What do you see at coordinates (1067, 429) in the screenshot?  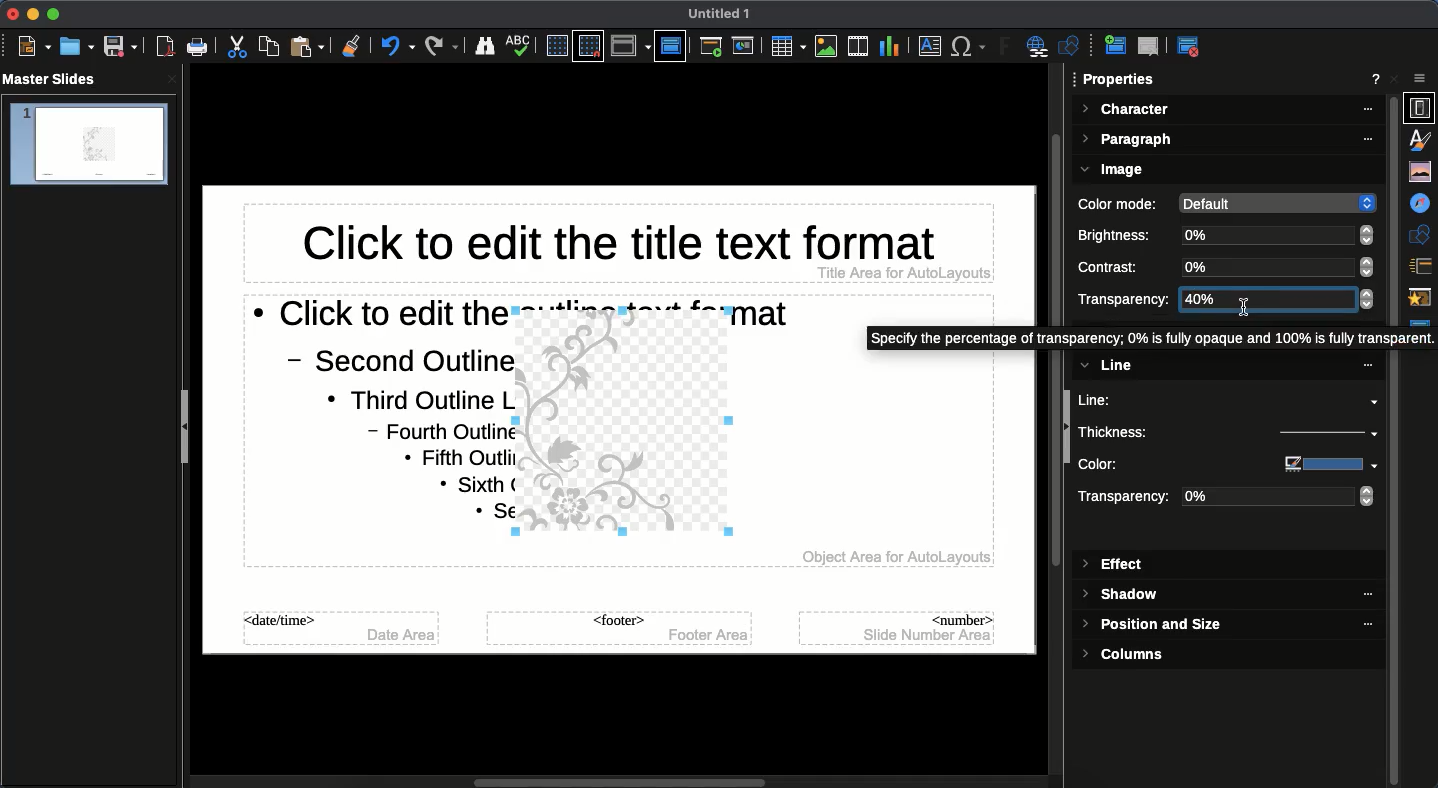 I see `collapse` at bounding box center [1067, 429].